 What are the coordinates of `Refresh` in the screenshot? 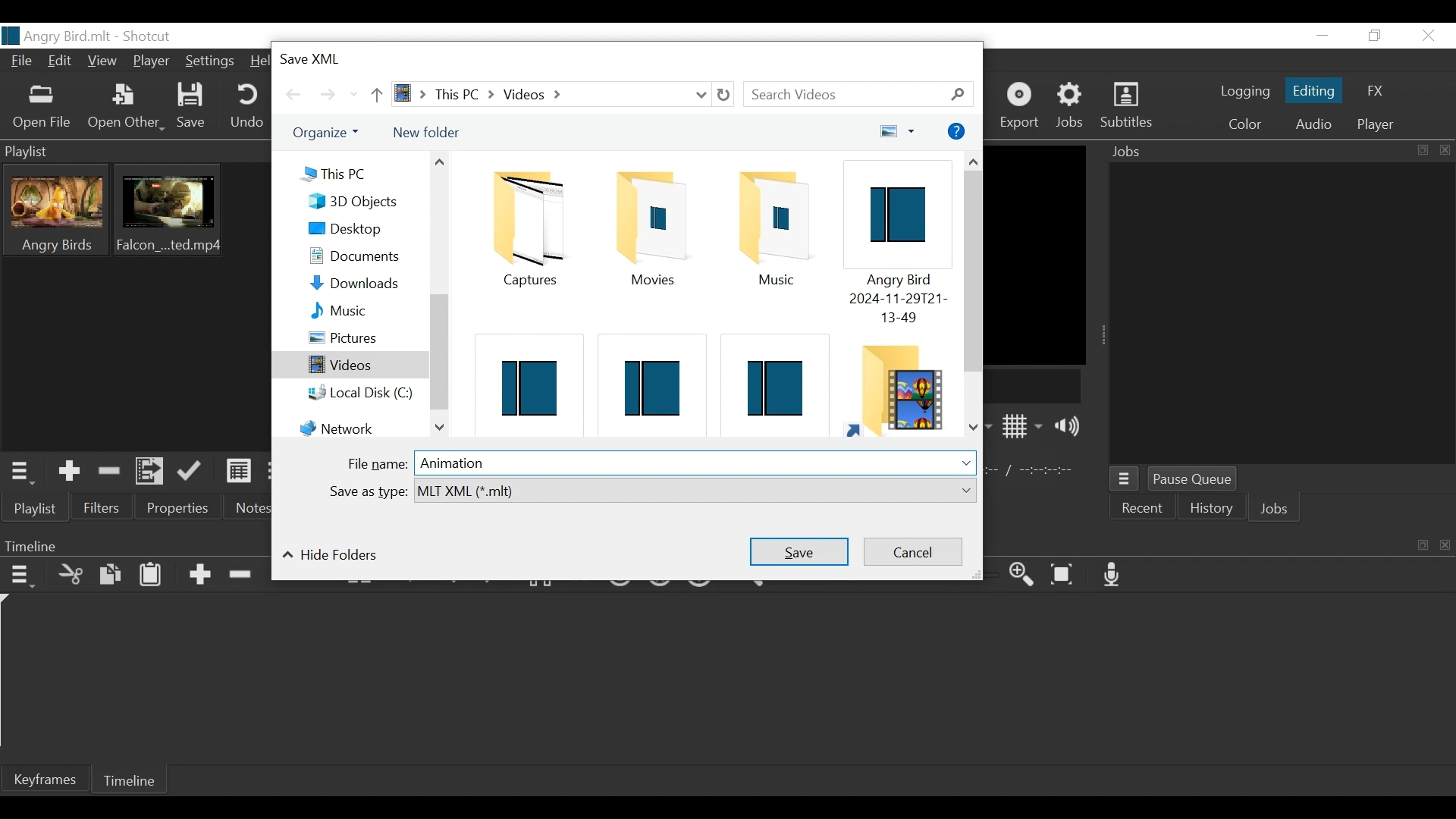 It's located at (726, 95).